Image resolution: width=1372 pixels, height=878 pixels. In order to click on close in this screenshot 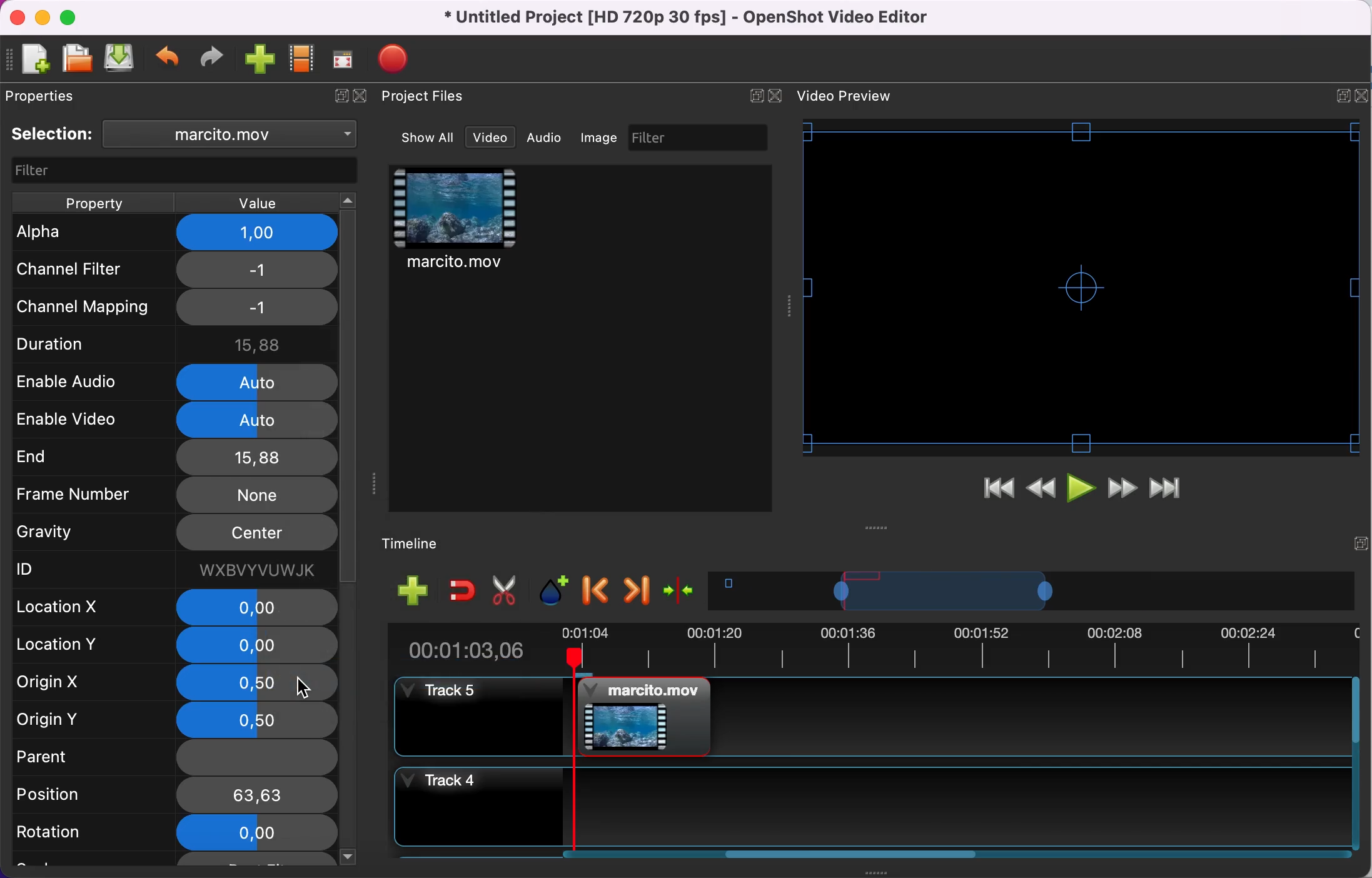, I will do `click(365, 97)`.